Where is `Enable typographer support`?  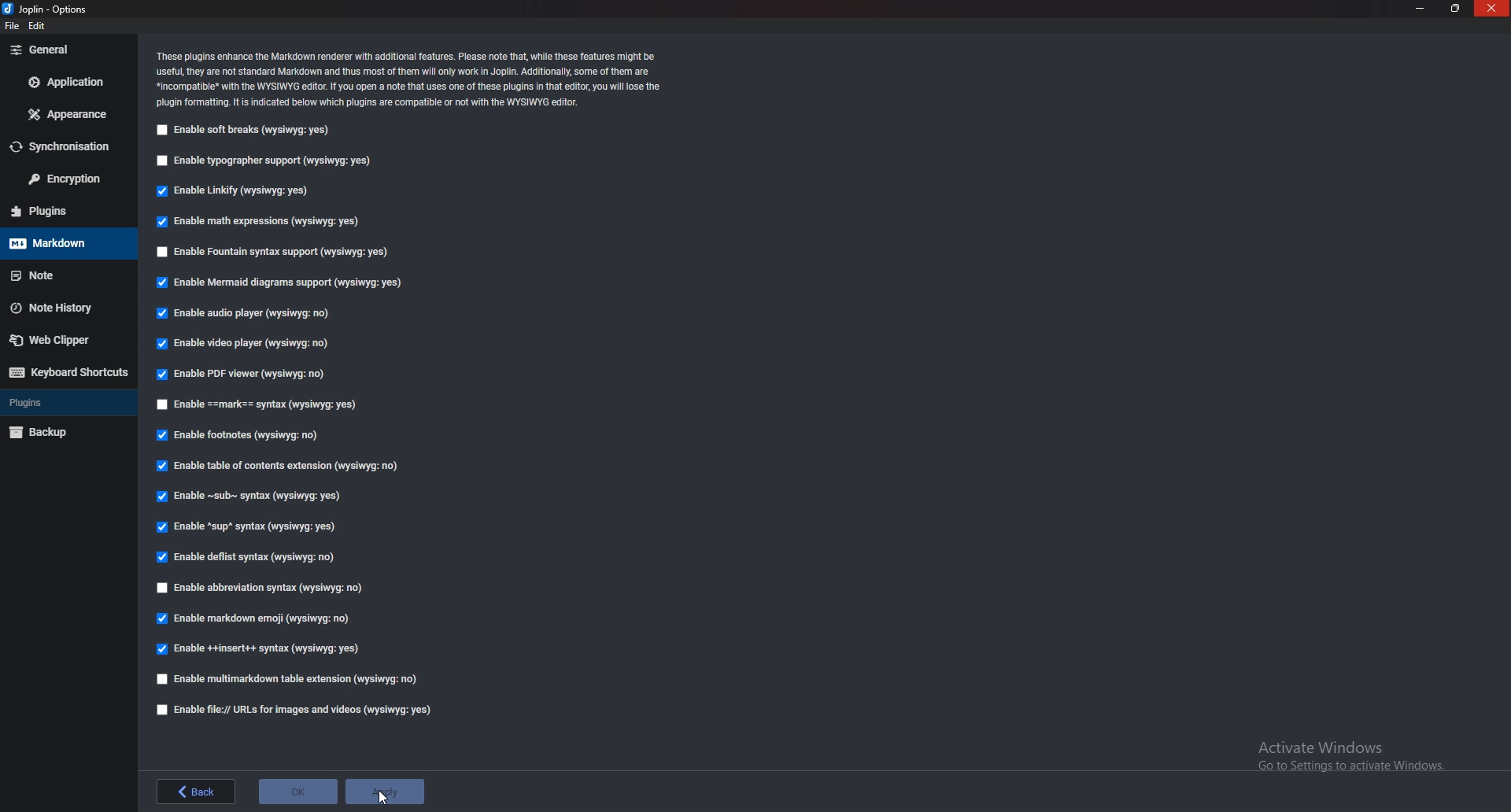
Enable typographer support is located at coordinates (275, 161).